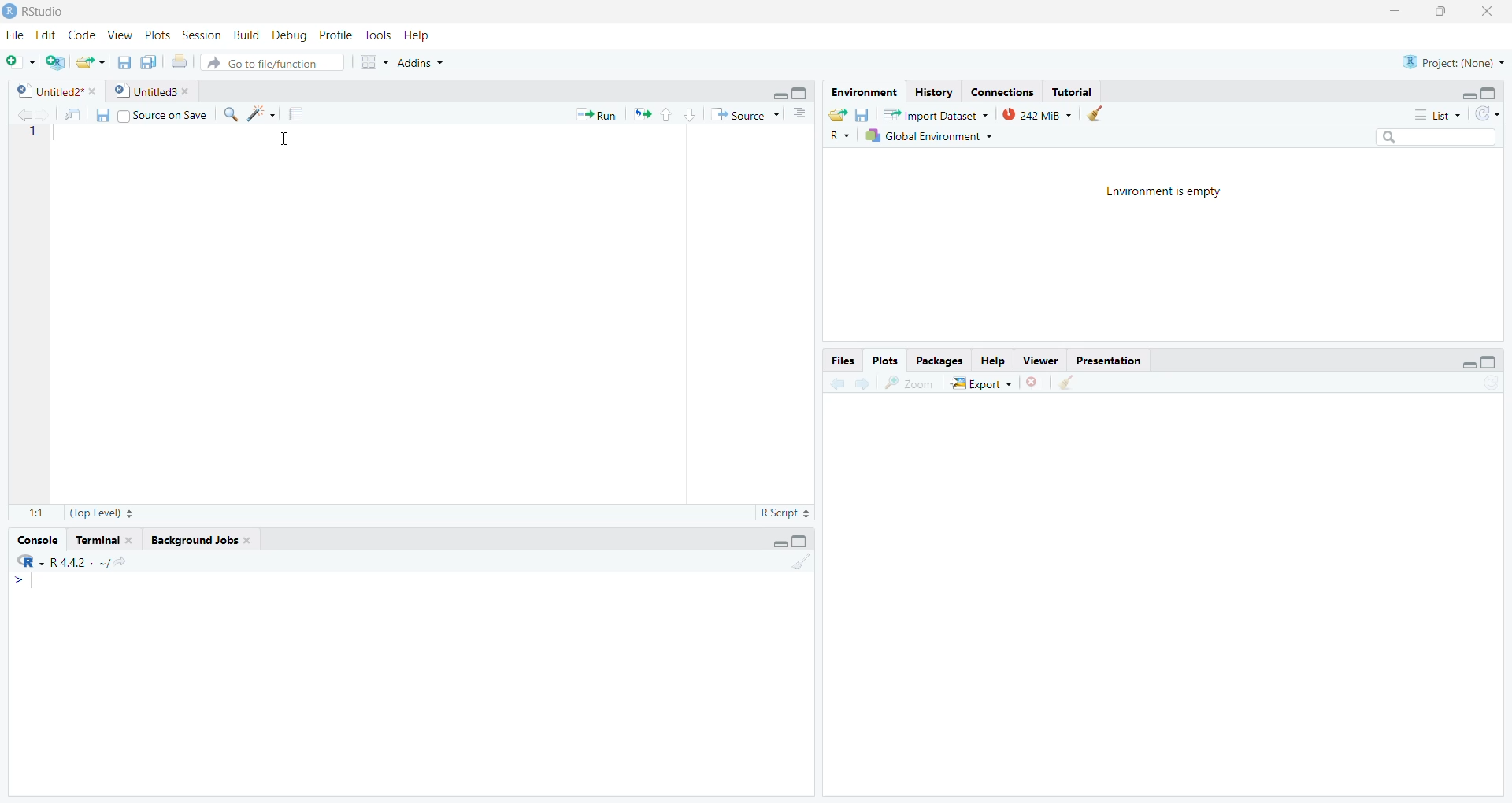 The width and height of the screenshot is (1512, 803). Describe the element at coordinates (36, 513) in the screenshot. I see `11` at that location.